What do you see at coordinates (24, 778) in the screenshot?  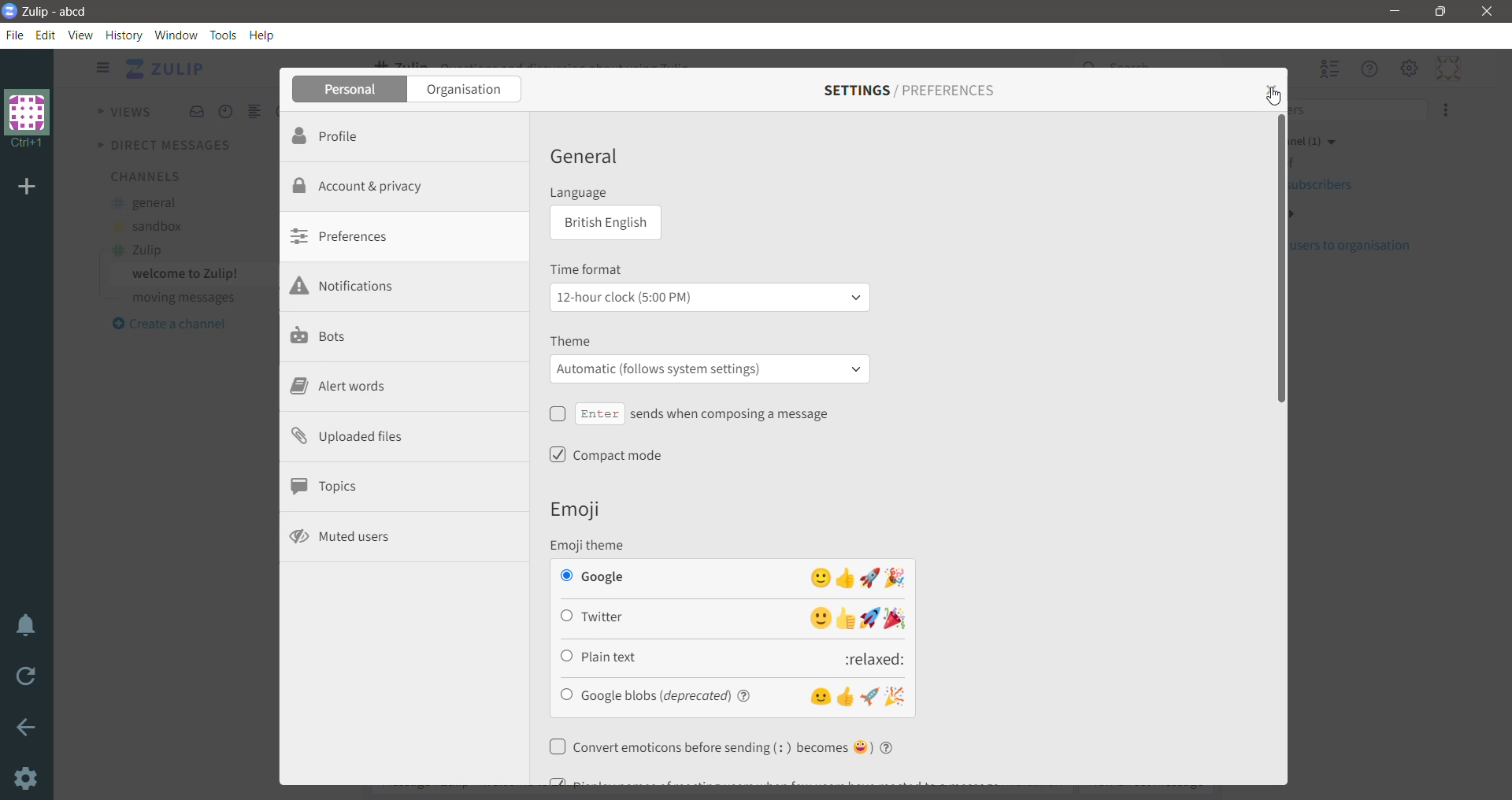 I see `Settings` at bounding box center [24, 778].